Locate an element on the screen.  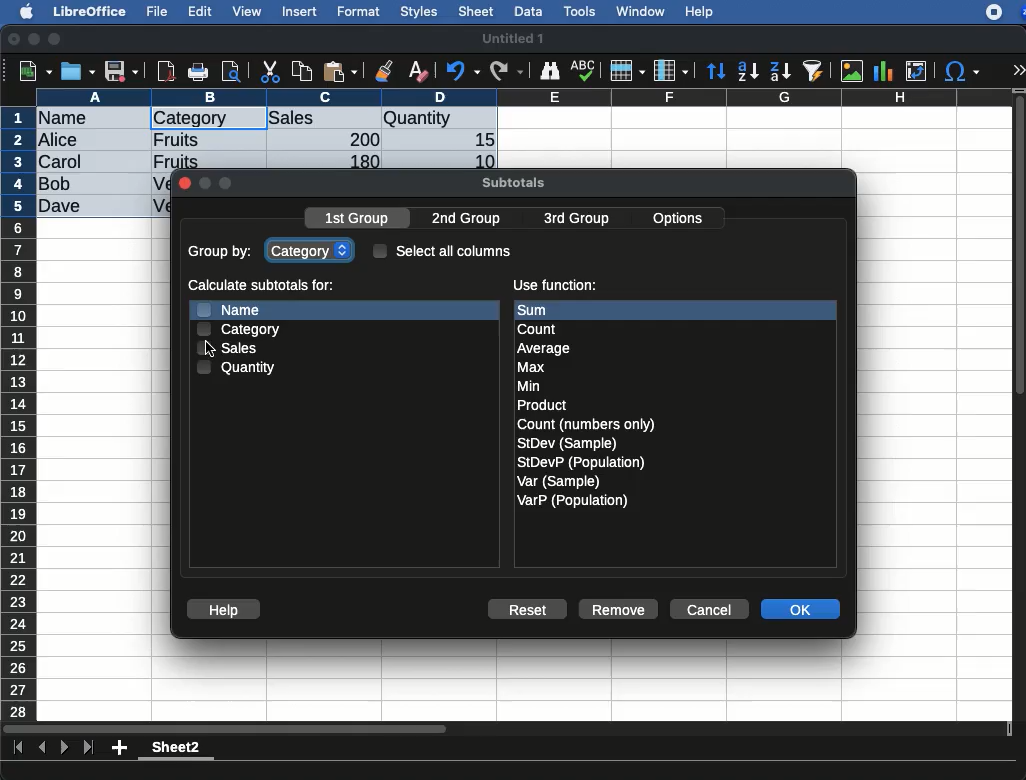
special characters is located at coordinates (960, 71).